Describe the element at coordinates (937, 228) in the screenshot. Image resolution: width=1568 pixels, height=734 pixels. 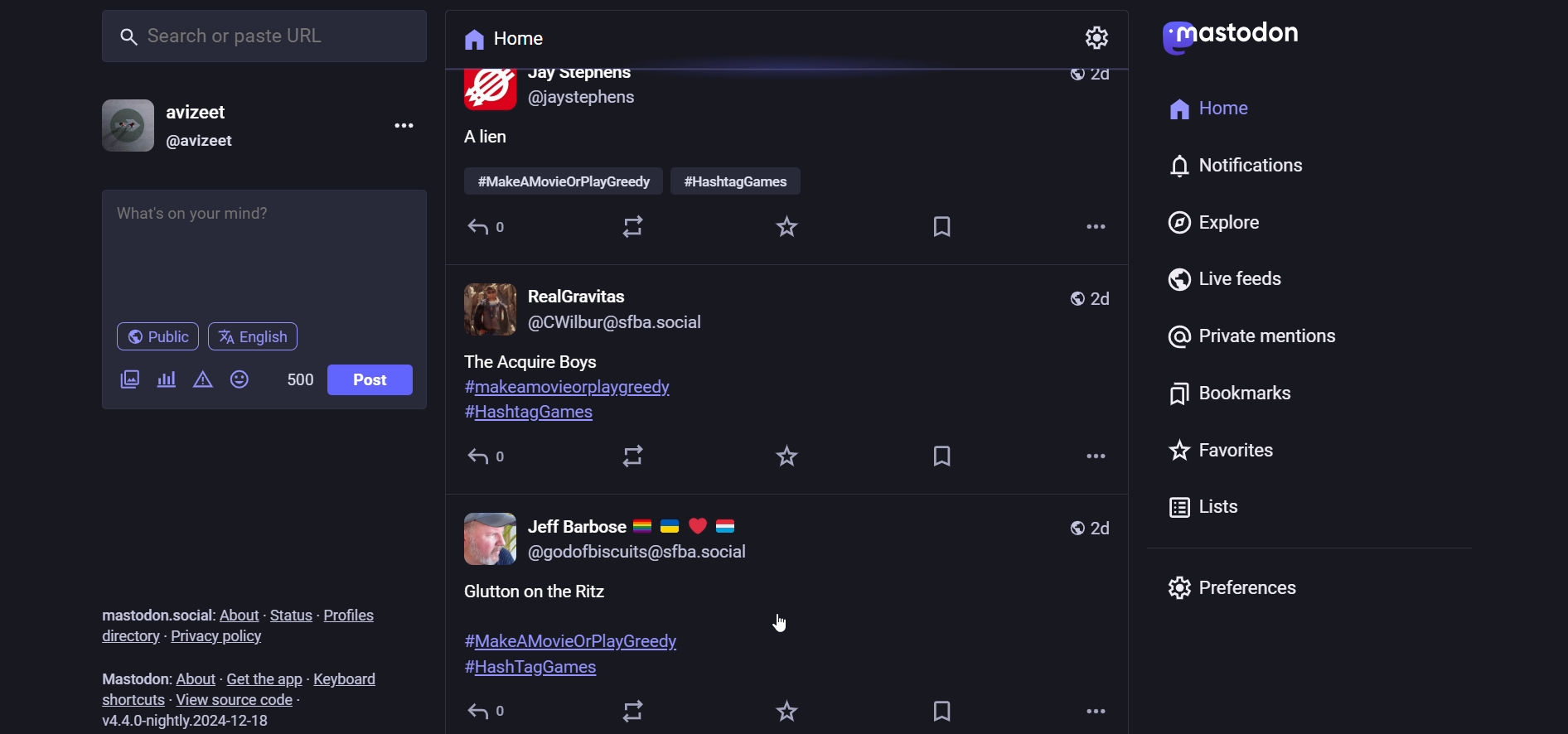
I see `bookmark` at that location.